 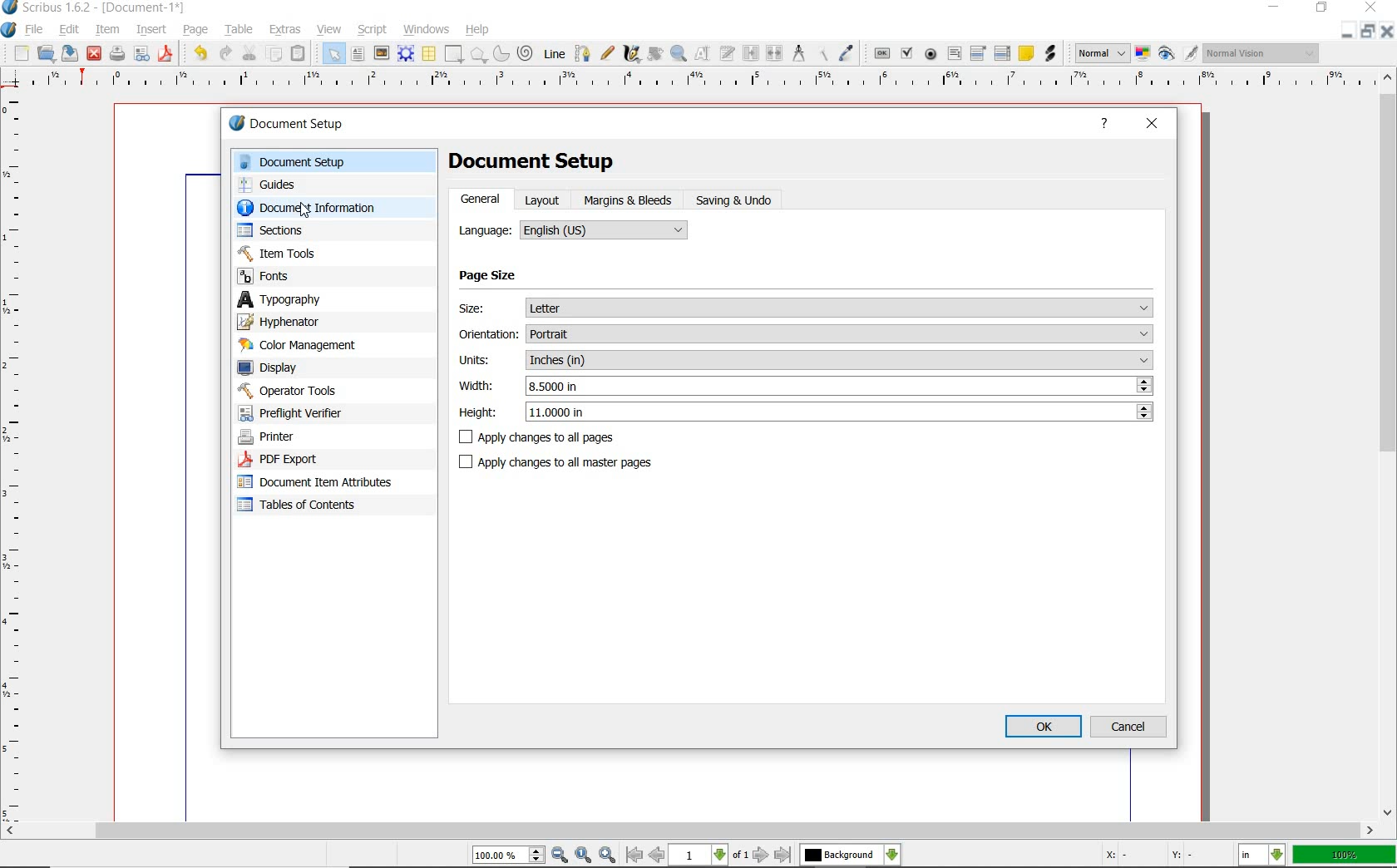 What do you see at coordinates (358, 54) in the screenshot?
I see `text frame` at bounding box center [358, 54].